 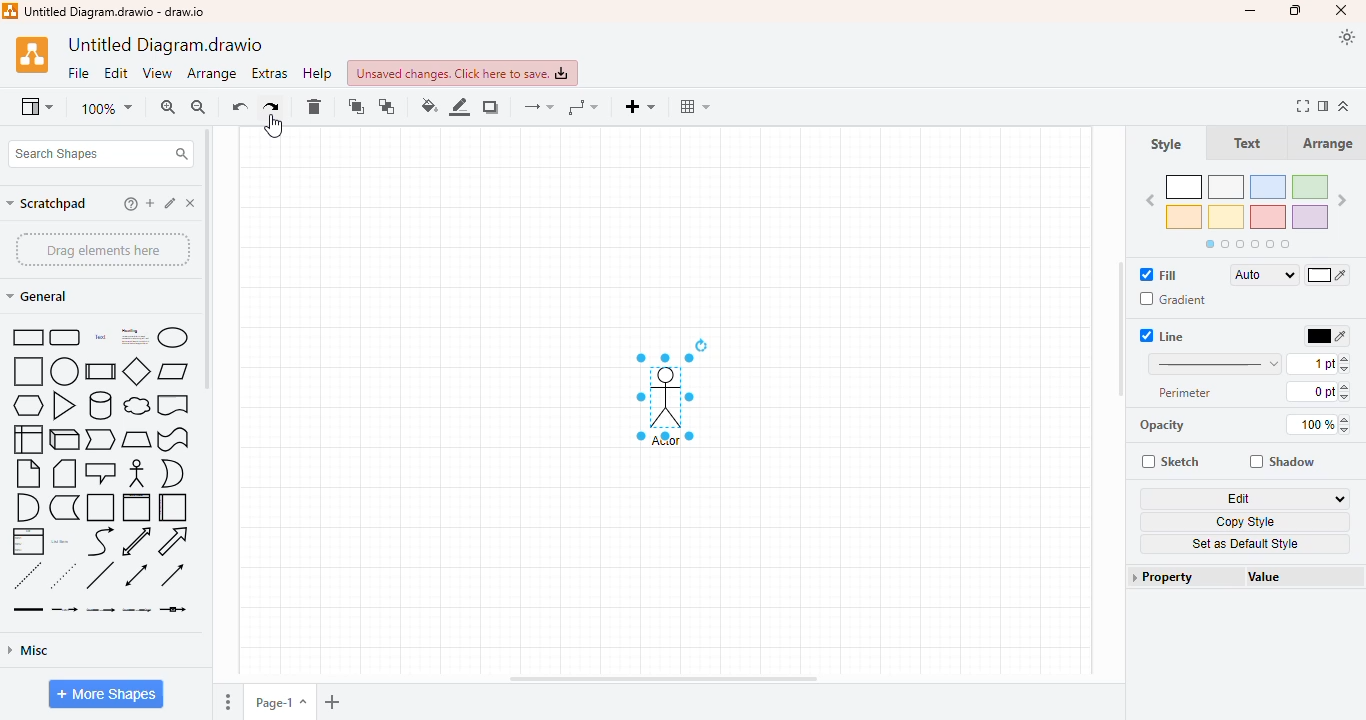 What do you see at coordinates (491, 106) in the screenshot?
I see `shadow` at bounding box center [491, 106].